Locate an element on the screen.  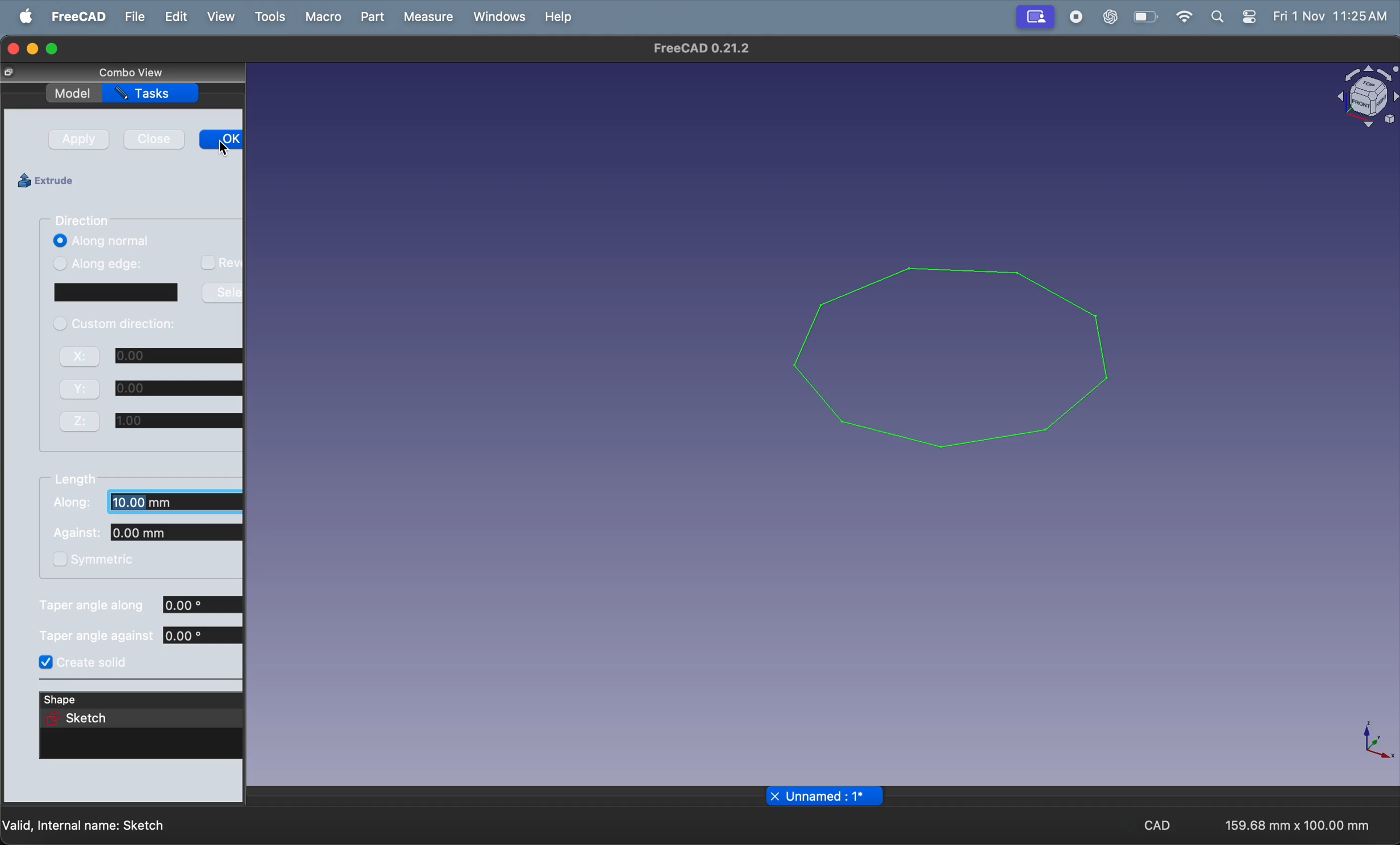
apple widgets is located at coordinates (1249, 16).